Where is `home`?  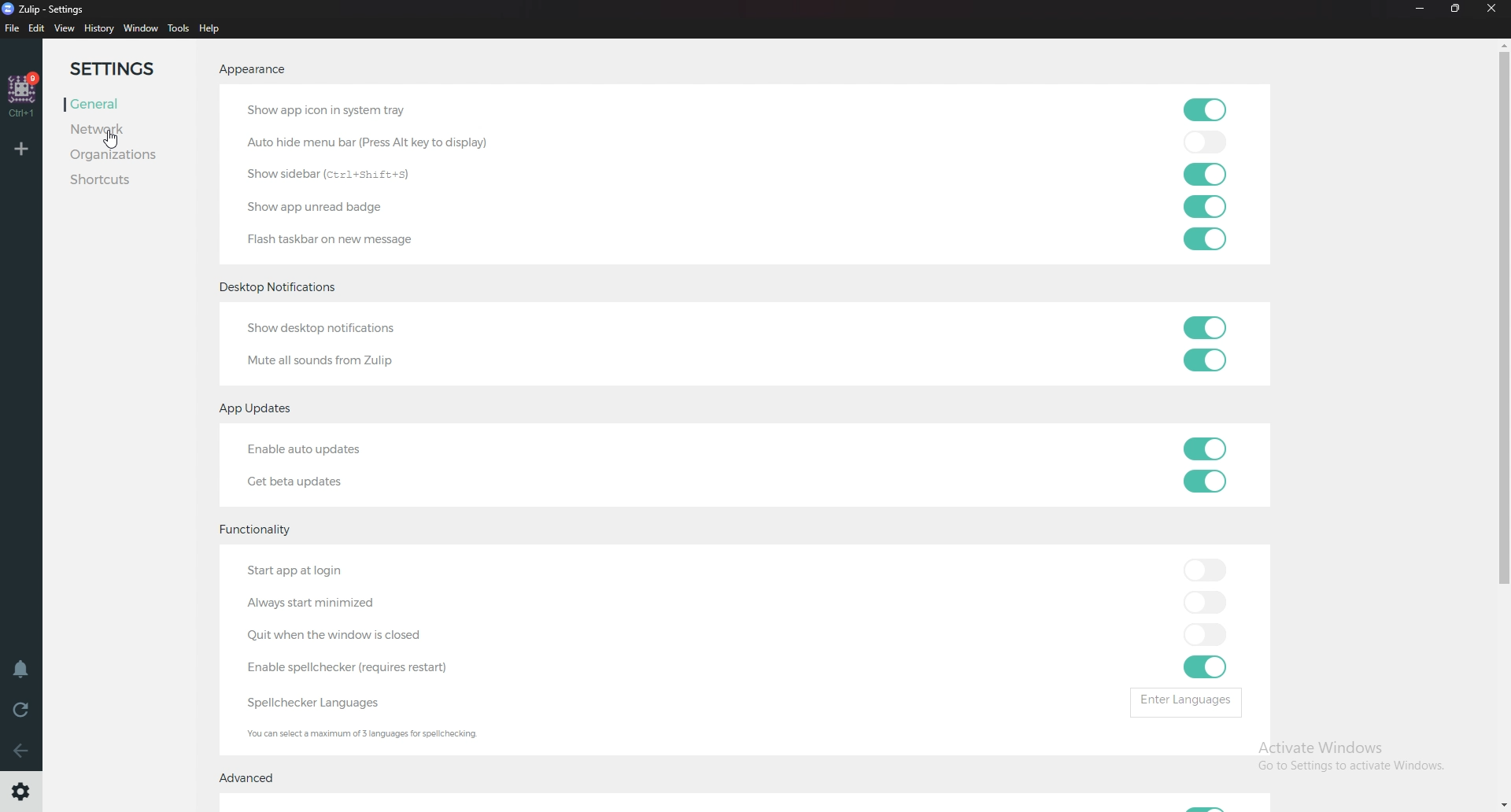 home is located at coordinates (24, 94).